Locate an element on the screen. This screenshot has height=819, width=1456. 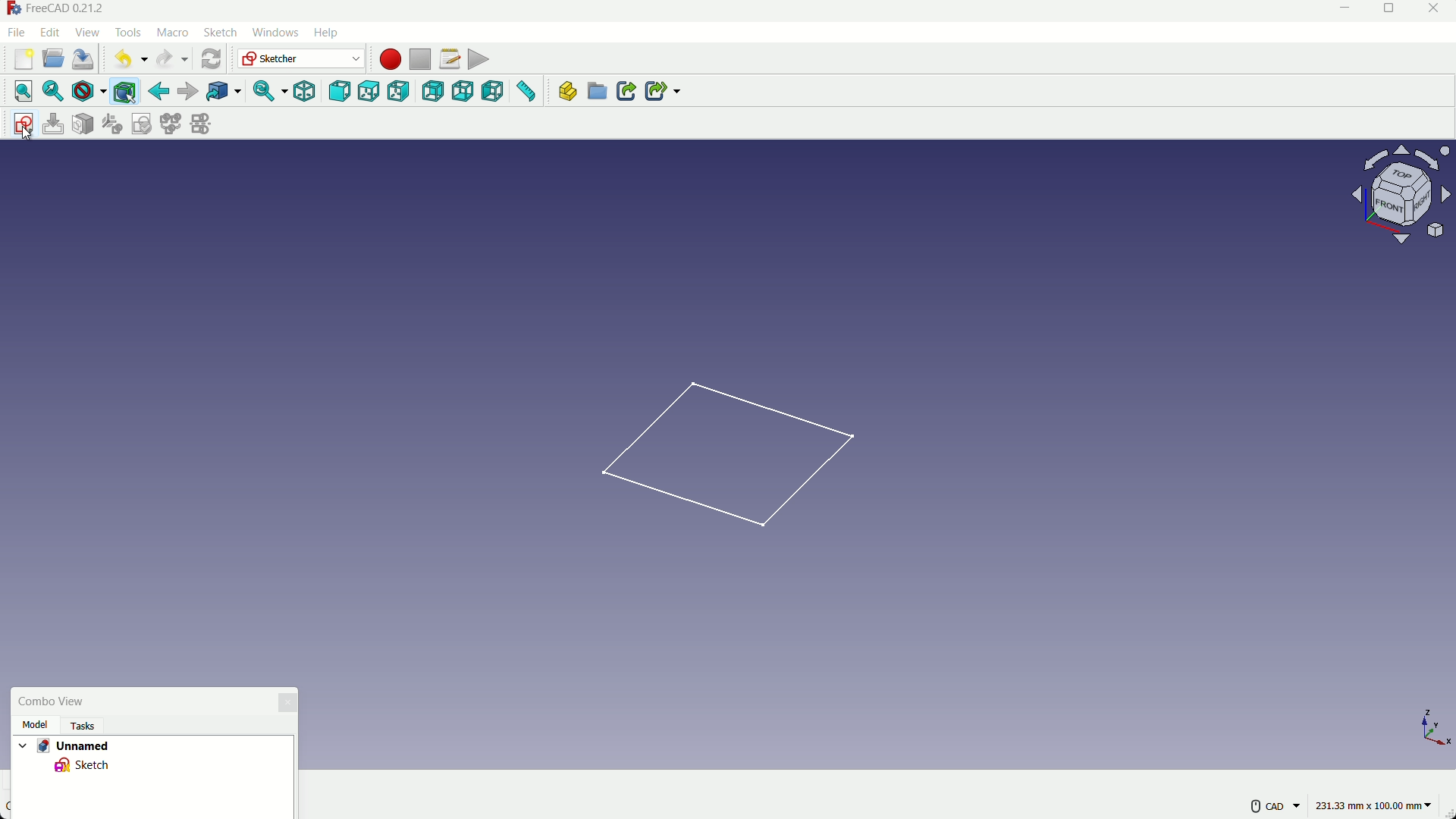
model tab is located at coordinates (37, 725).